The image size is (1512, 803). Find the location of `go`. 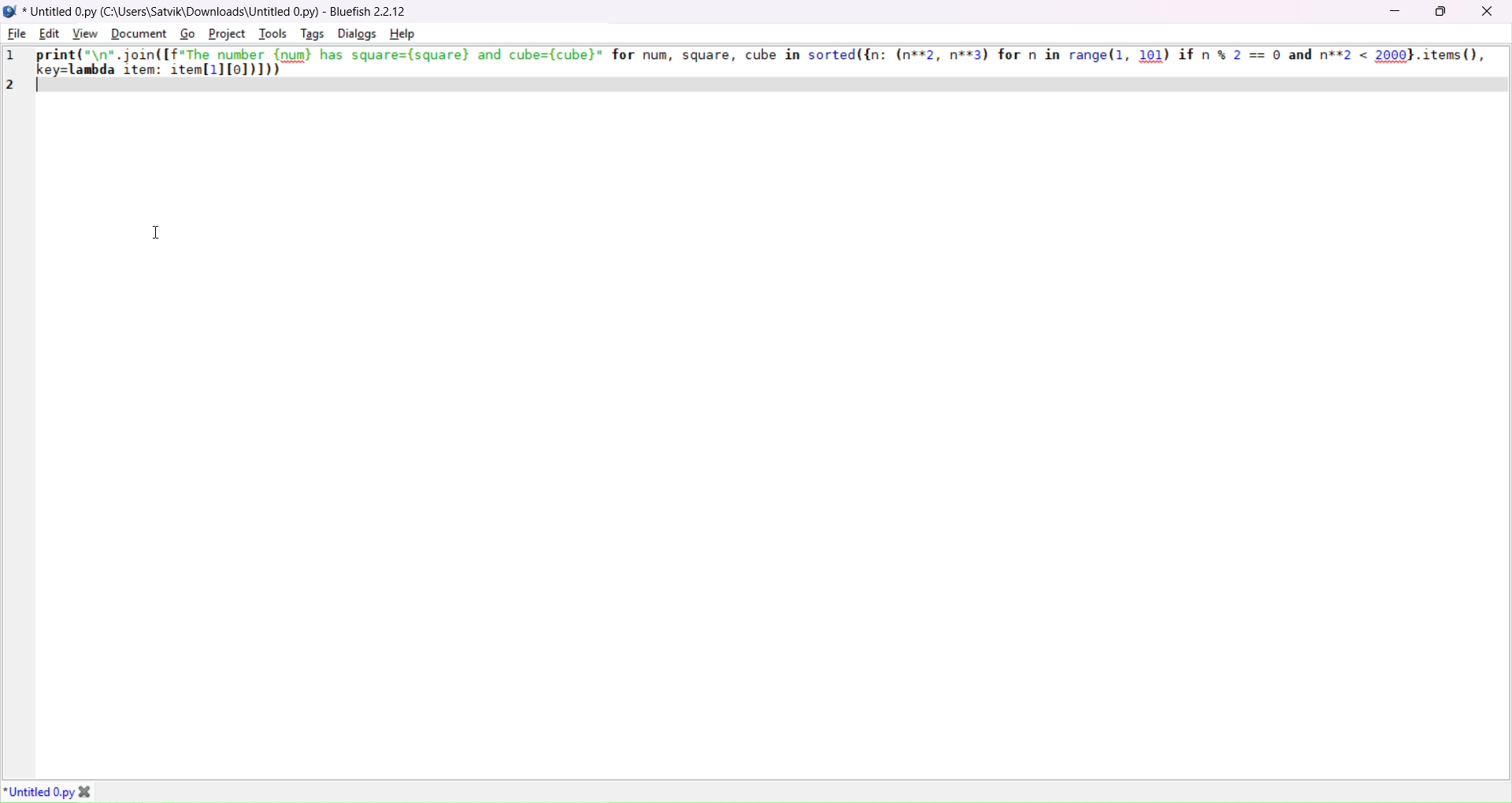

go is located at coordinates (187, 33).